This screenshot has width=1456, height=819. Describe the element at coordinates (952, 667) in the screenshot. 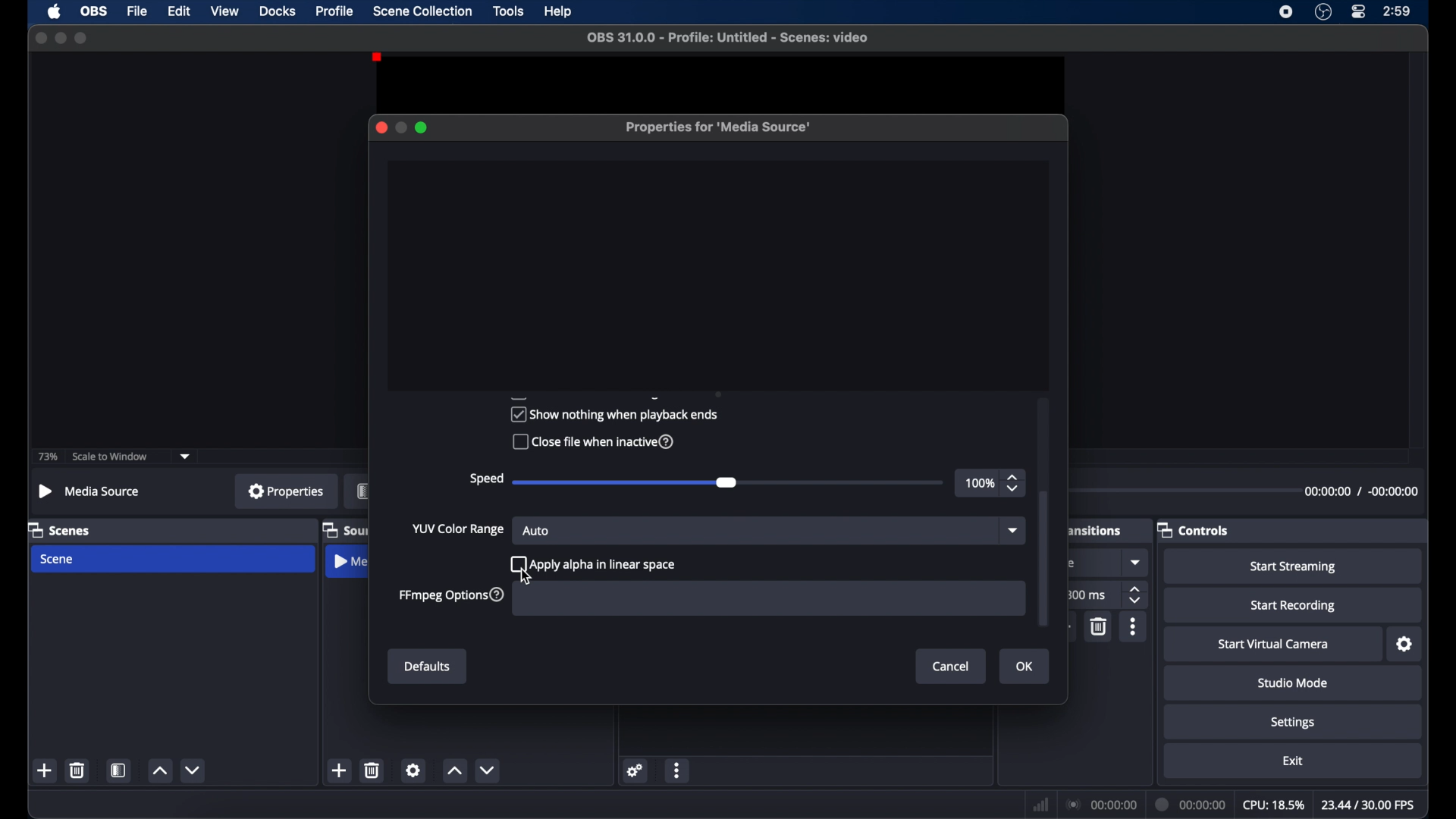

I see `cancel` at that location.